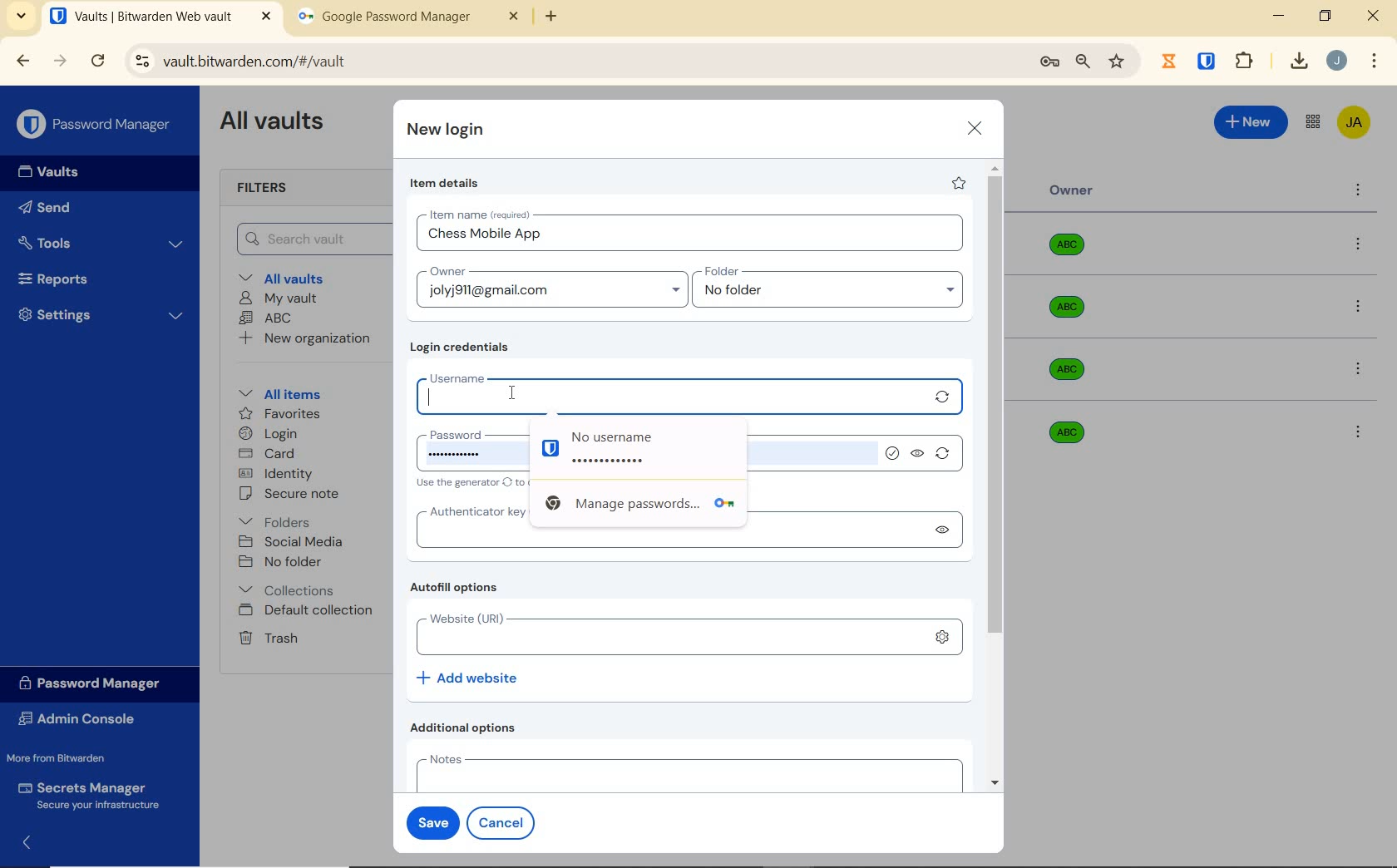  What do you see at coordinates (289, 541) in the screenshot?
I see `Social media` at bounding box center [289, 541].